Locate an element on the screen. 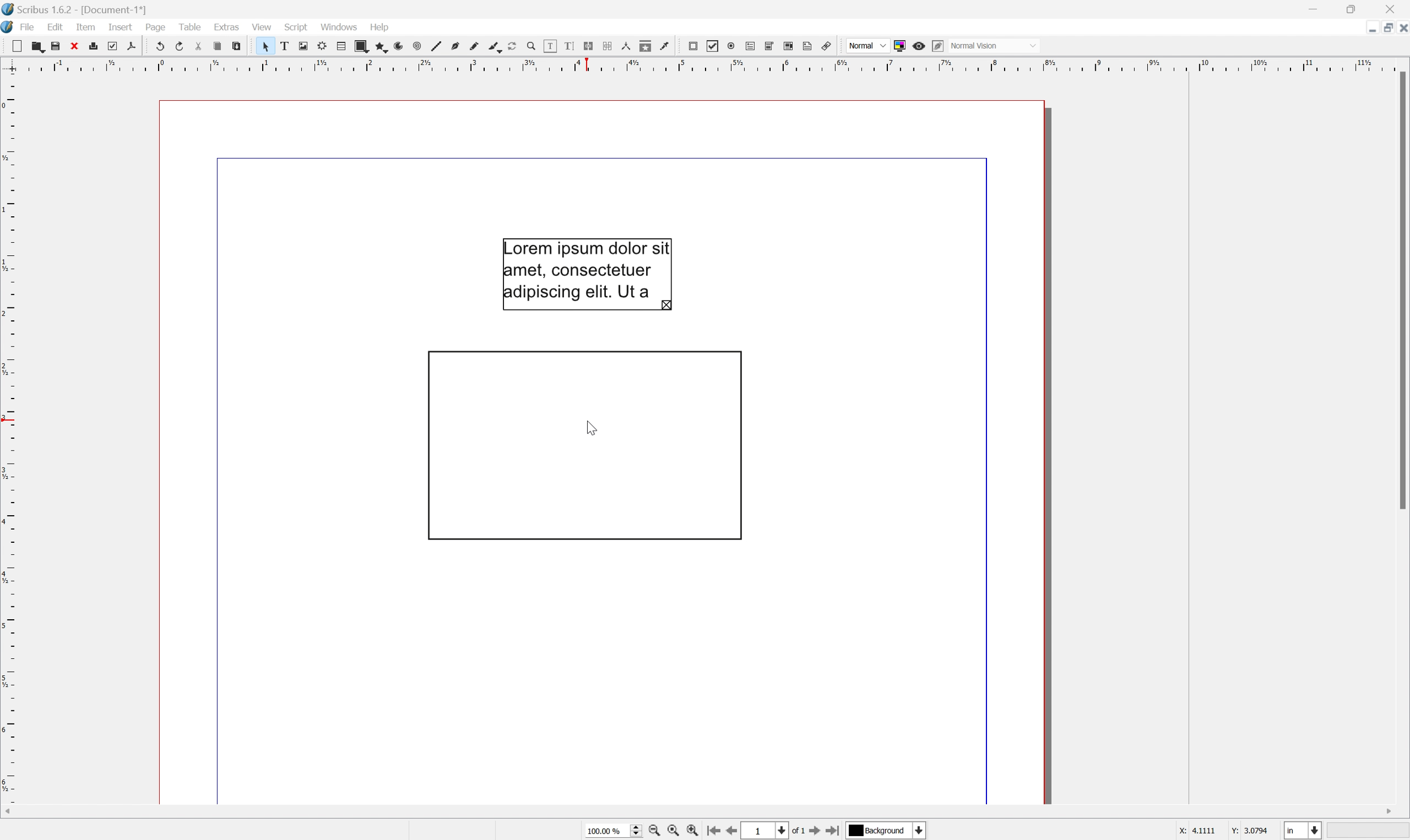  Image frame is located at coordinates (301, 45).